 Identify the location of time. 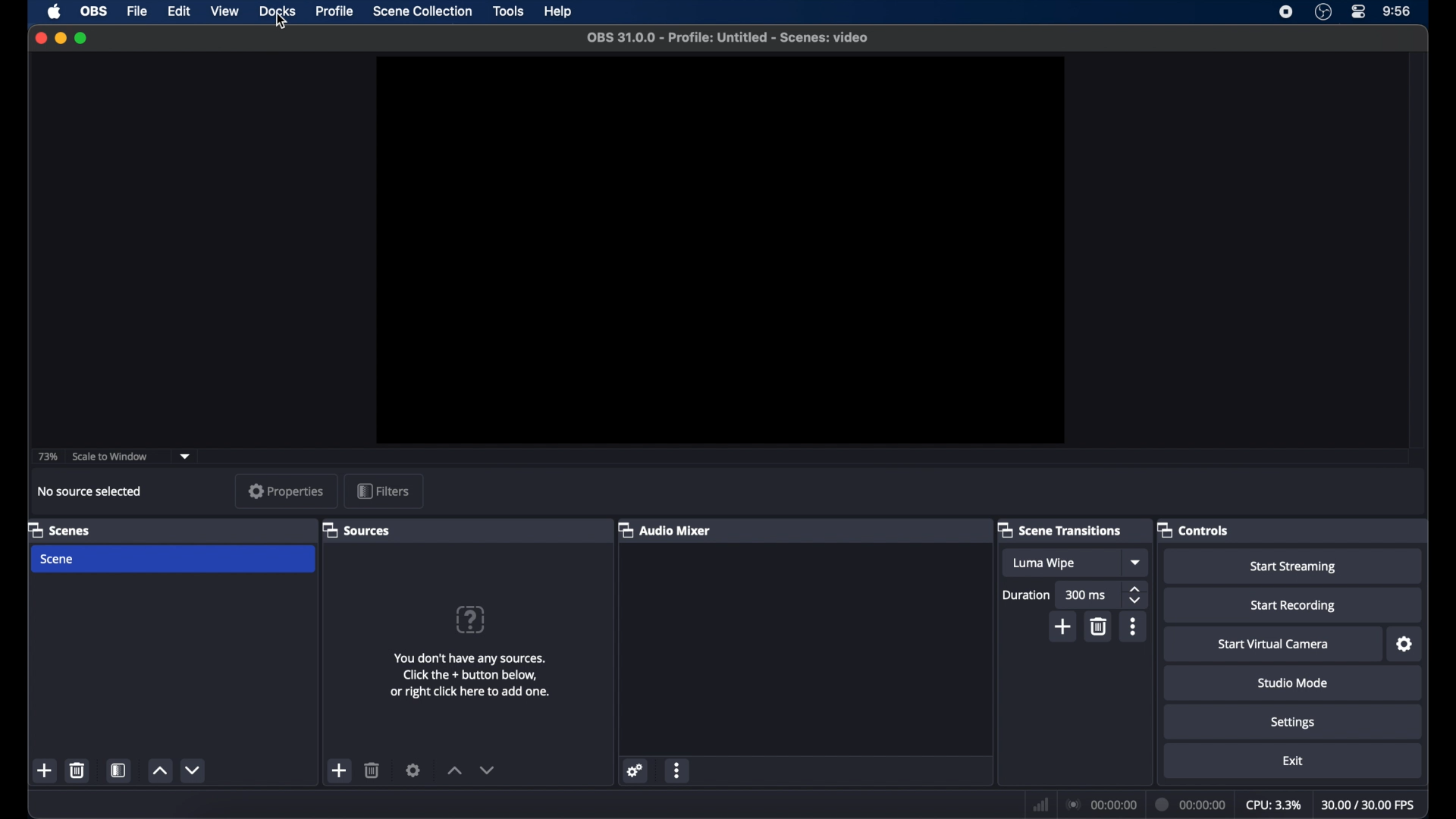
(1397, 11).